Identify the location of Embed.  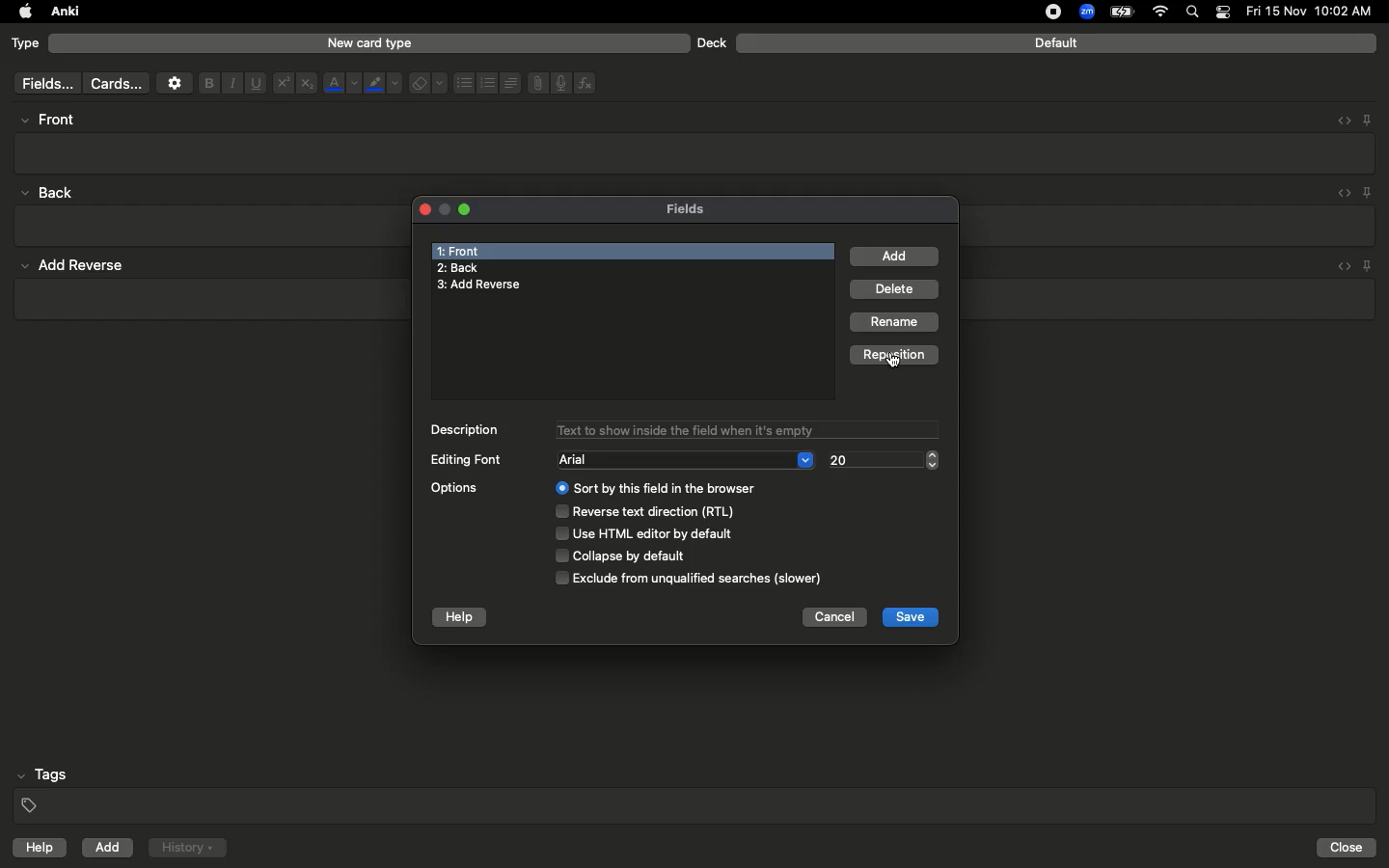
(1340, 194).